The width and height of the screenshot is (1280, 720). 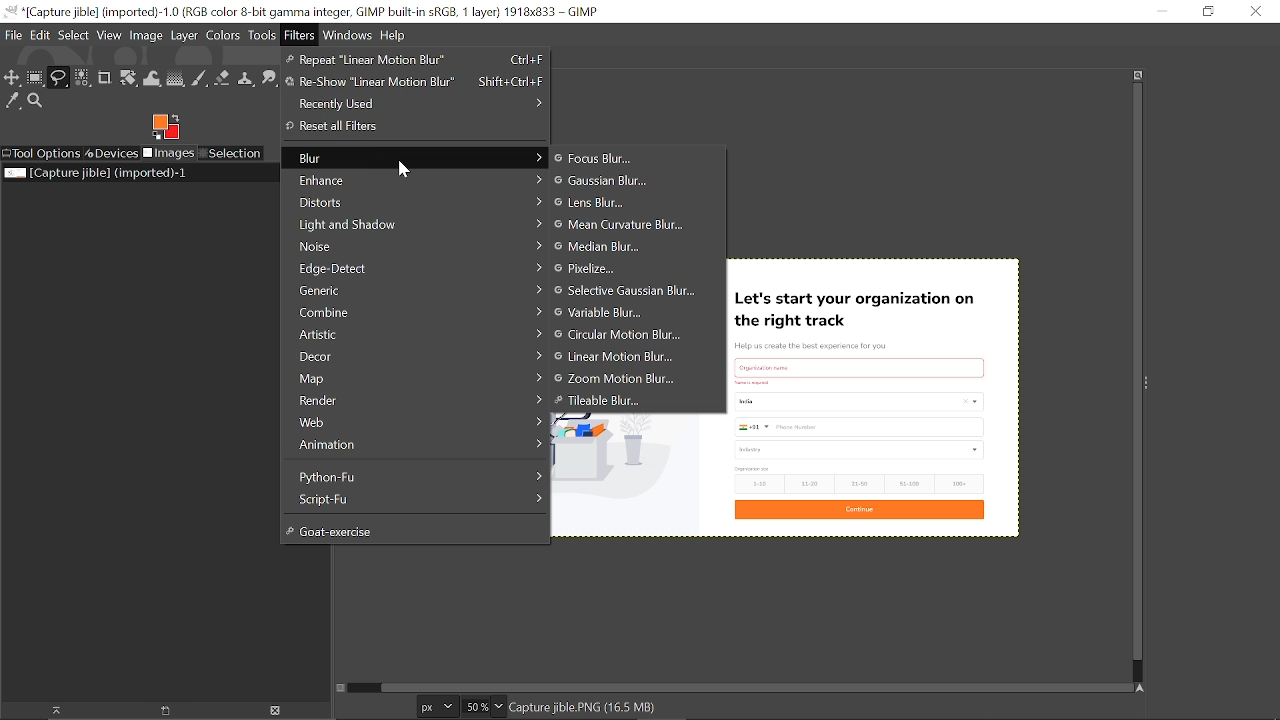 I want to click on Images, so click(x=170, y=154).